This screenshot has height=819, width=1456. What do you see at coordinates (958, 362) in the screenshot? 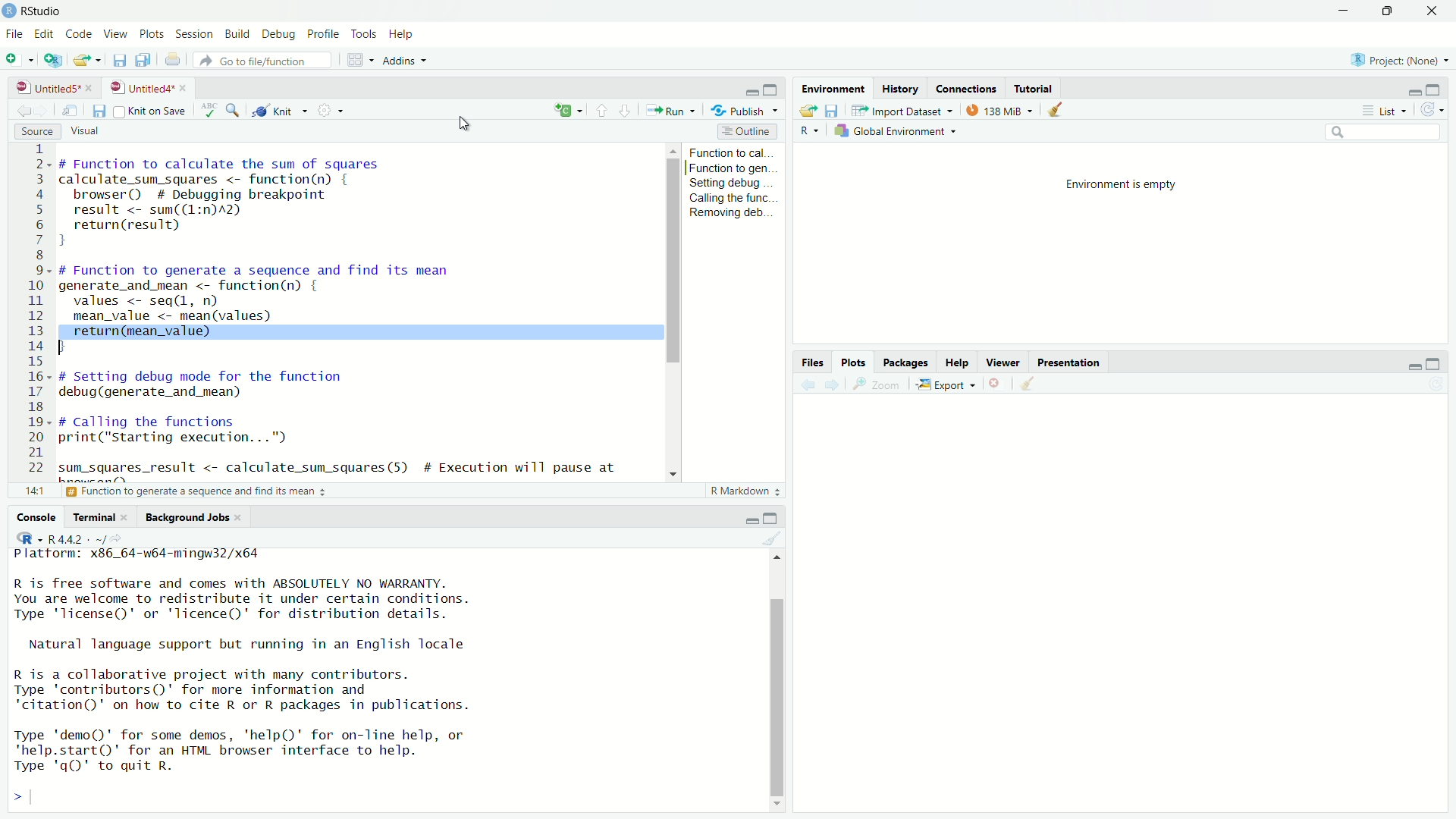
I see `help` at bounding box center [958, 362].